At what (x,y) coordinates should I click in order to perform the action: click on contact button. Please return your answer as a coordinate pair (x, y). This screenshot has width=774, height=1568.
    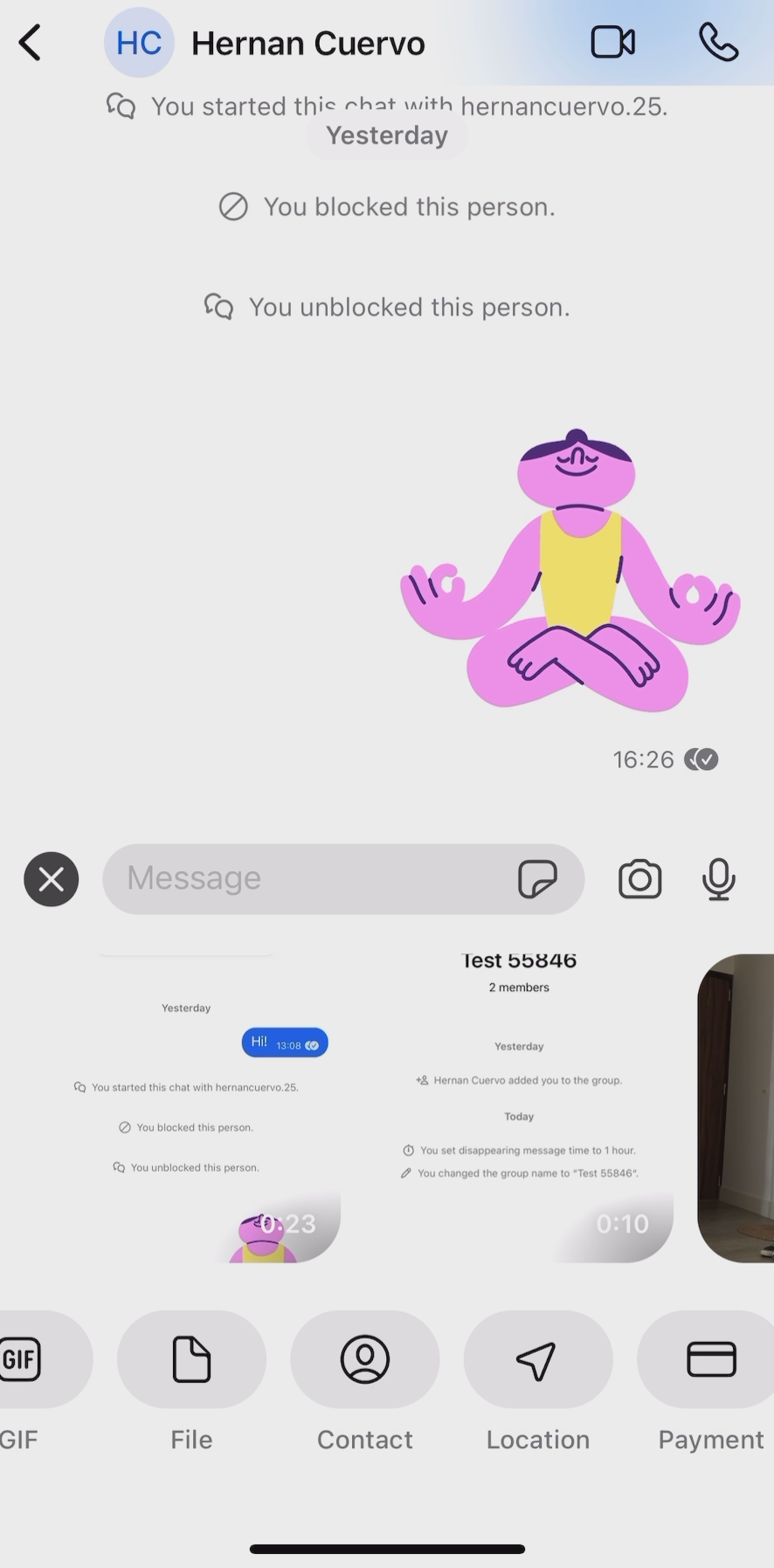
    Looking at the image, I should click on (366, 1386).